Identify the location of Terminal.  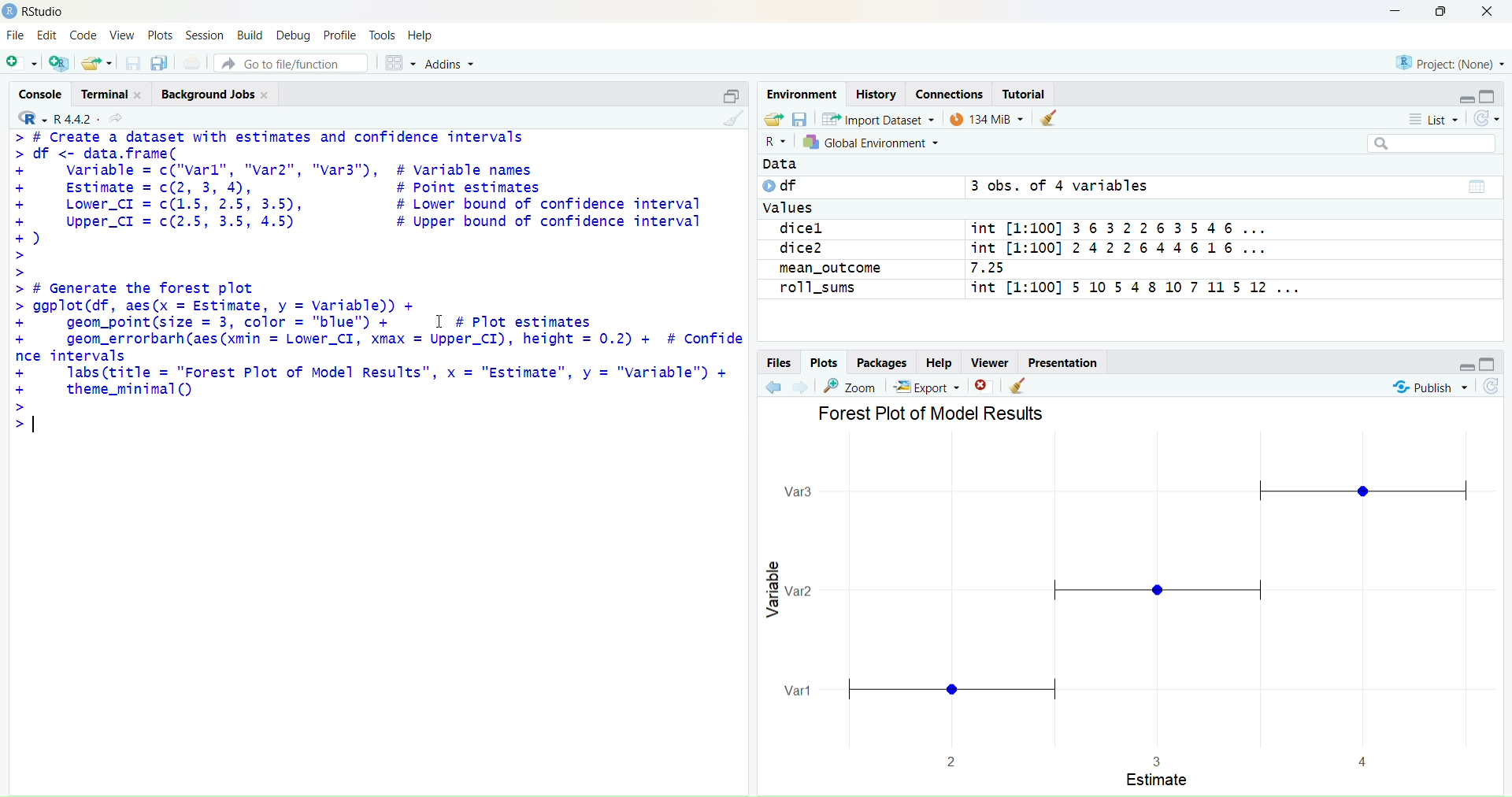
(115, 93).